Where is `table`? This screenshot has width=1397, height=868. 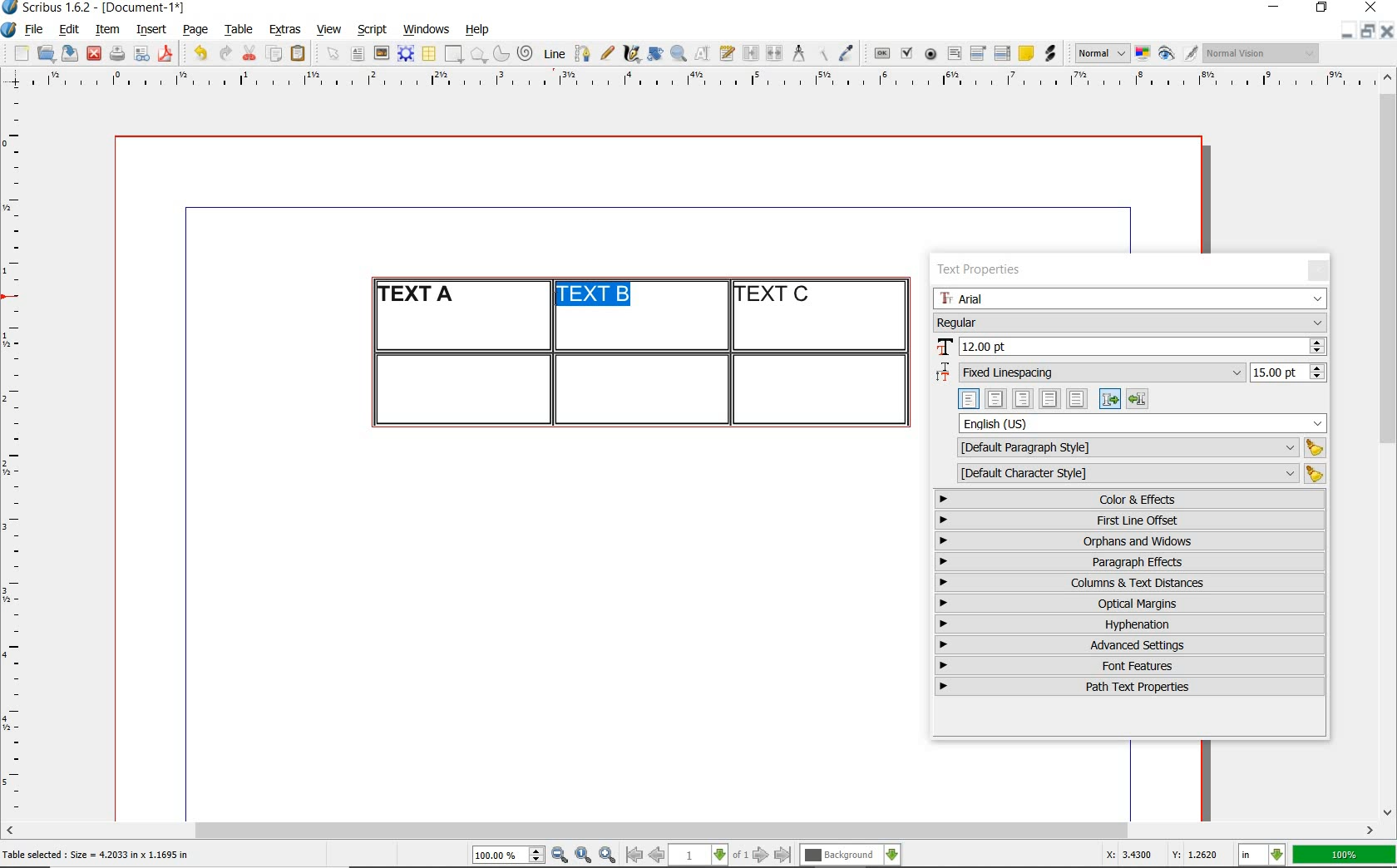 table is located at coordinates (239, 30).